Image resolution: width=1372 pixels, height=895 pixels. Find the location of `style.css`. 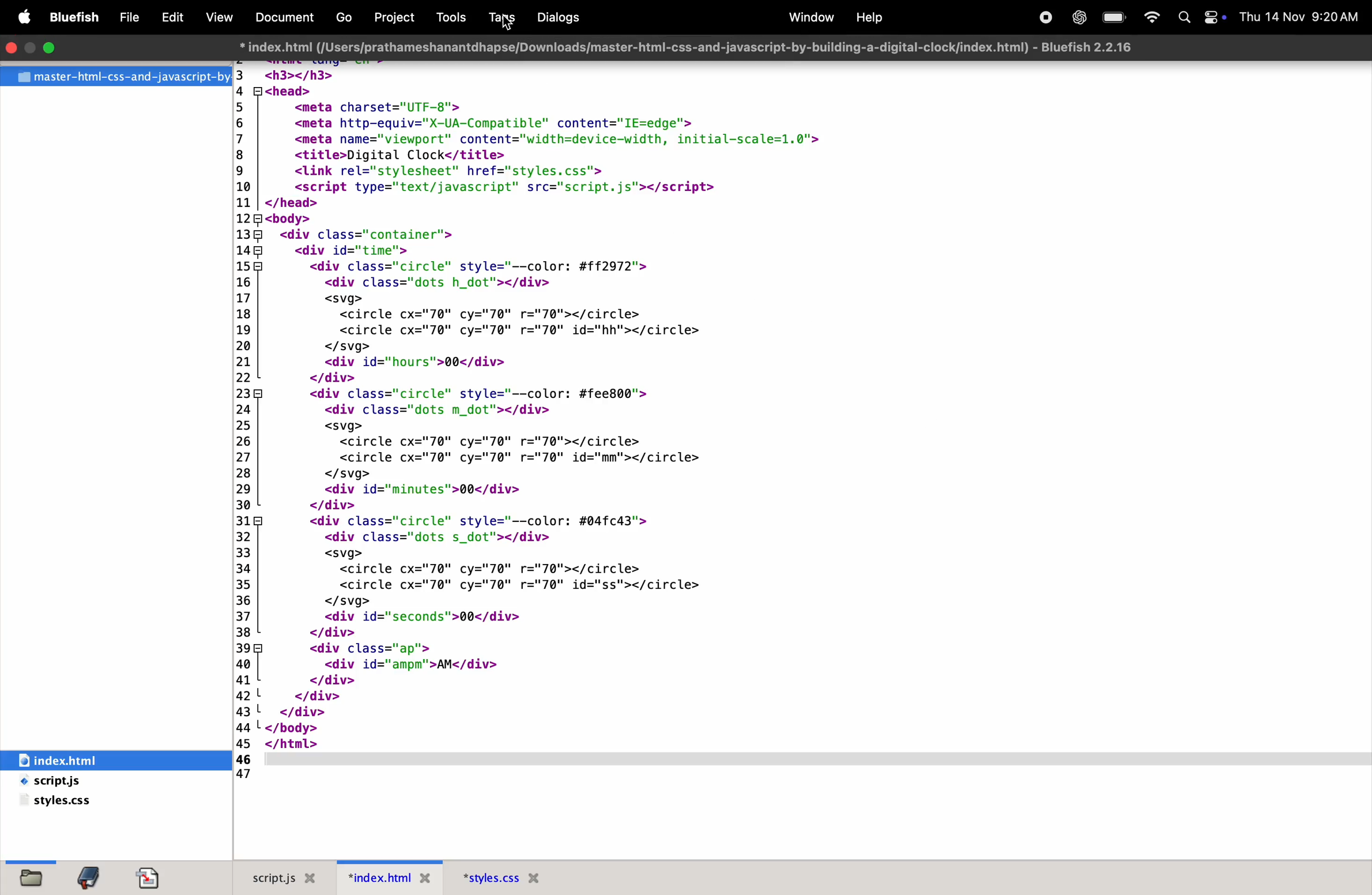

style.css is located at coordinates (61, 803).